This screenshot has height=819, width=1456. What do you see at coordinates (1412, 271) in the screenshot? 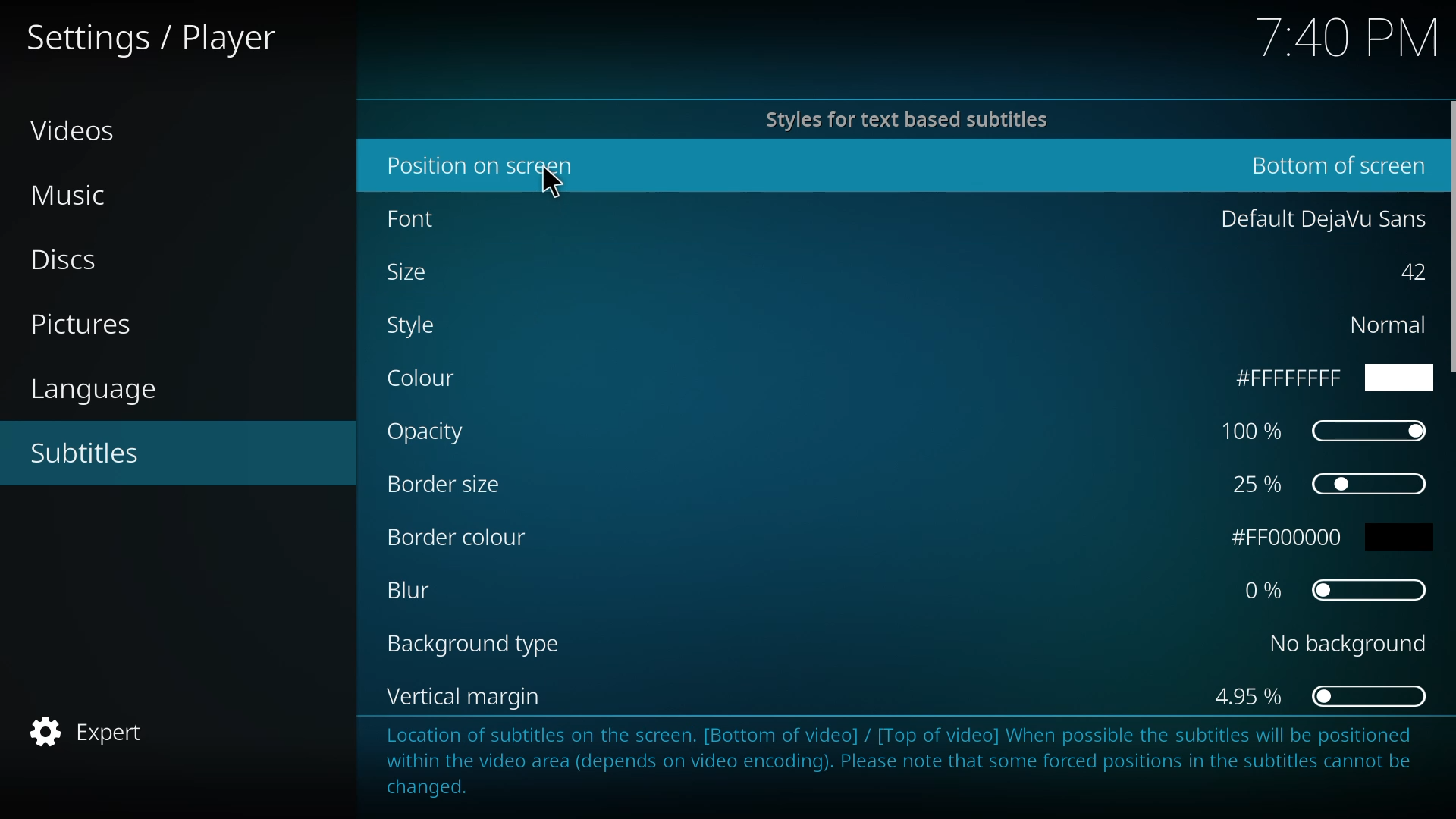
I see `42` at bounding box center [1412, 271].